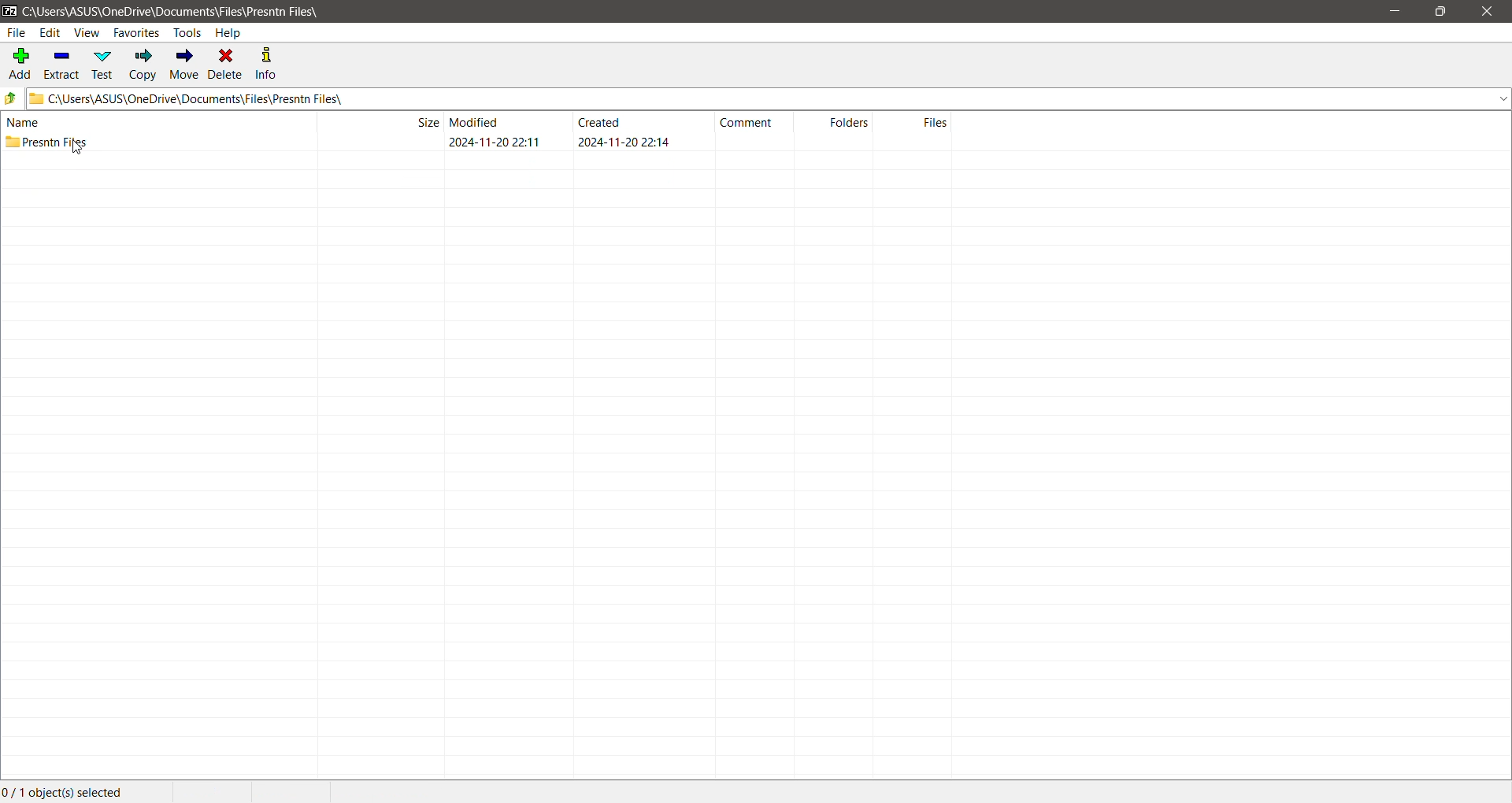 The height and width of the screenshot is (803, 1512). What do you see at coordinates (495, 142) in the screenshot?
I see `modified date & time` at bounding box center [495, 142].